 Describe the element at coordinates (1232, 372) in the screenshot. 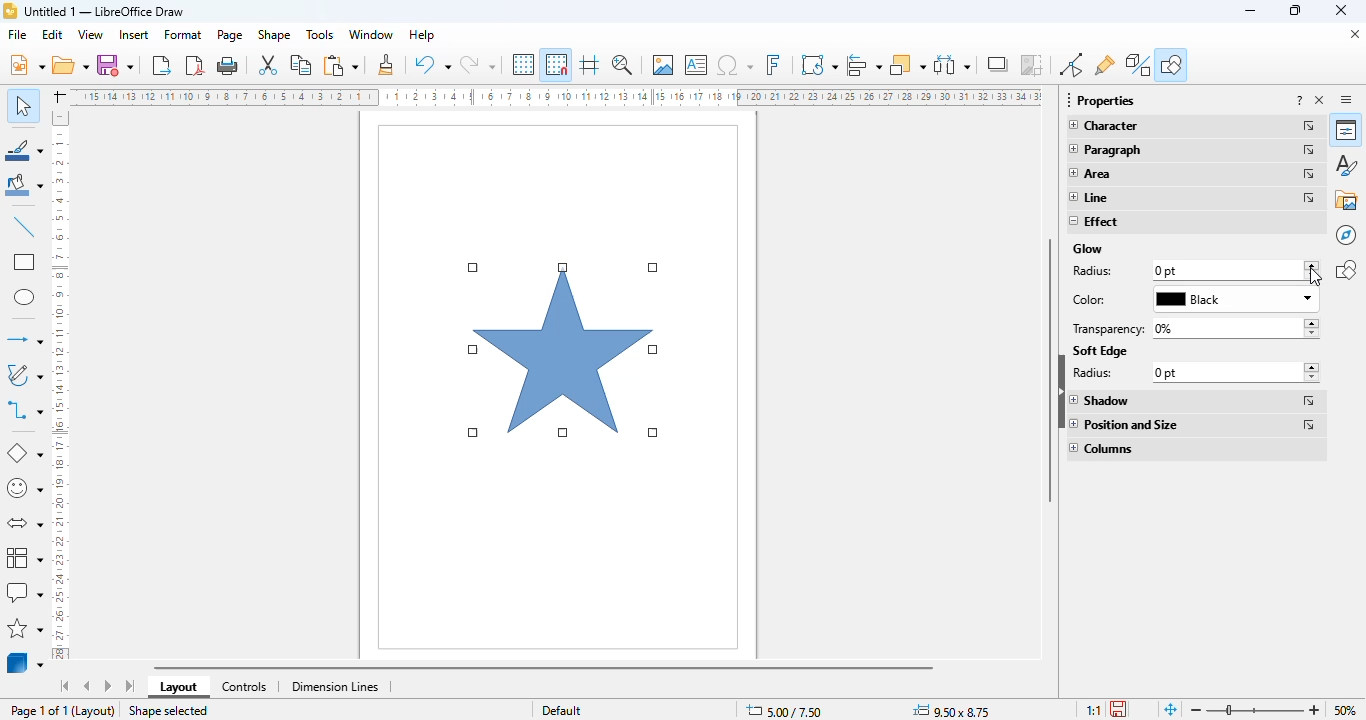

I see `o pt` at that location.